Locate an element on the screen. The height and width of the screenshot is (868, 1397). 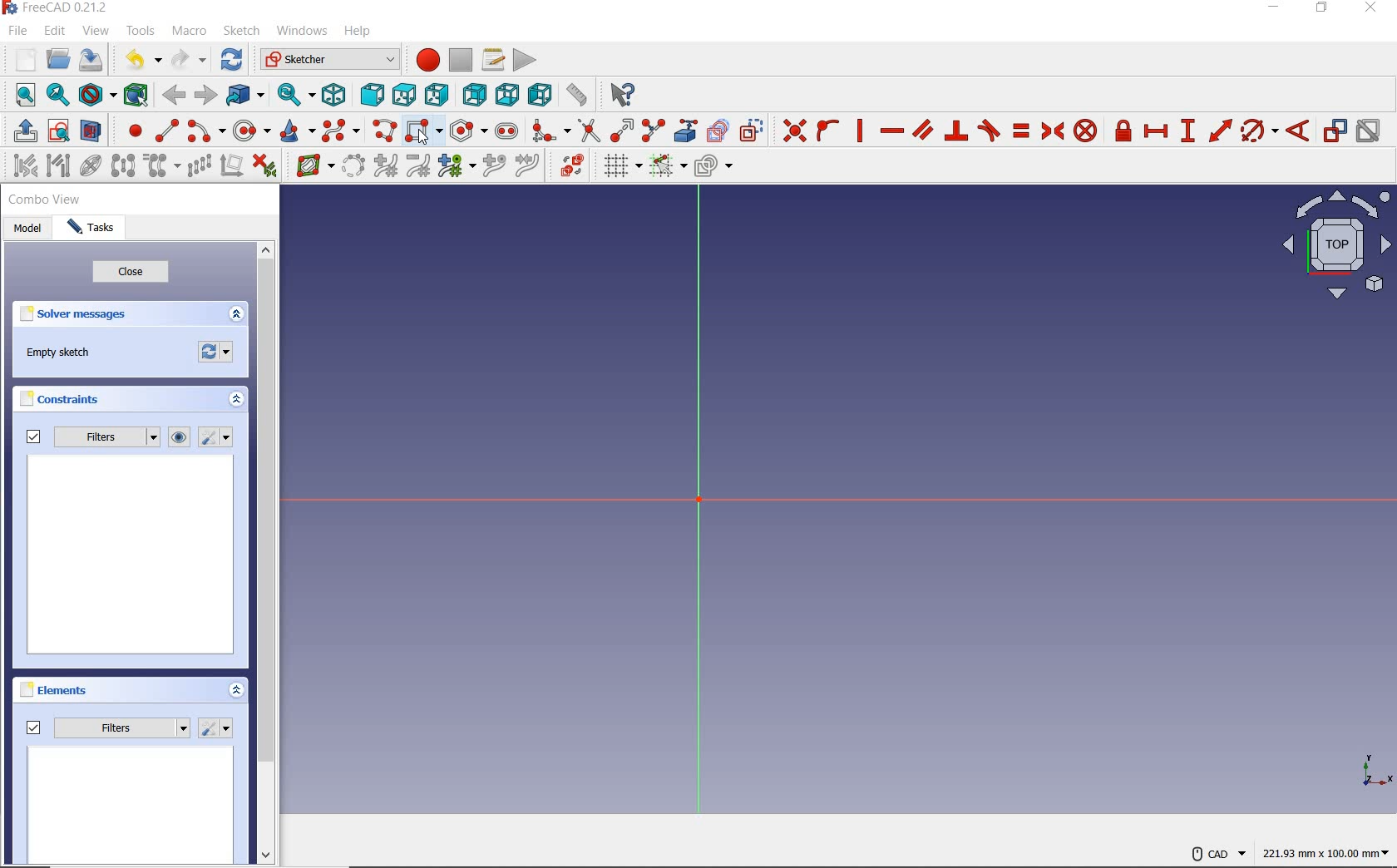
edit is located at coordinates (57, 31).